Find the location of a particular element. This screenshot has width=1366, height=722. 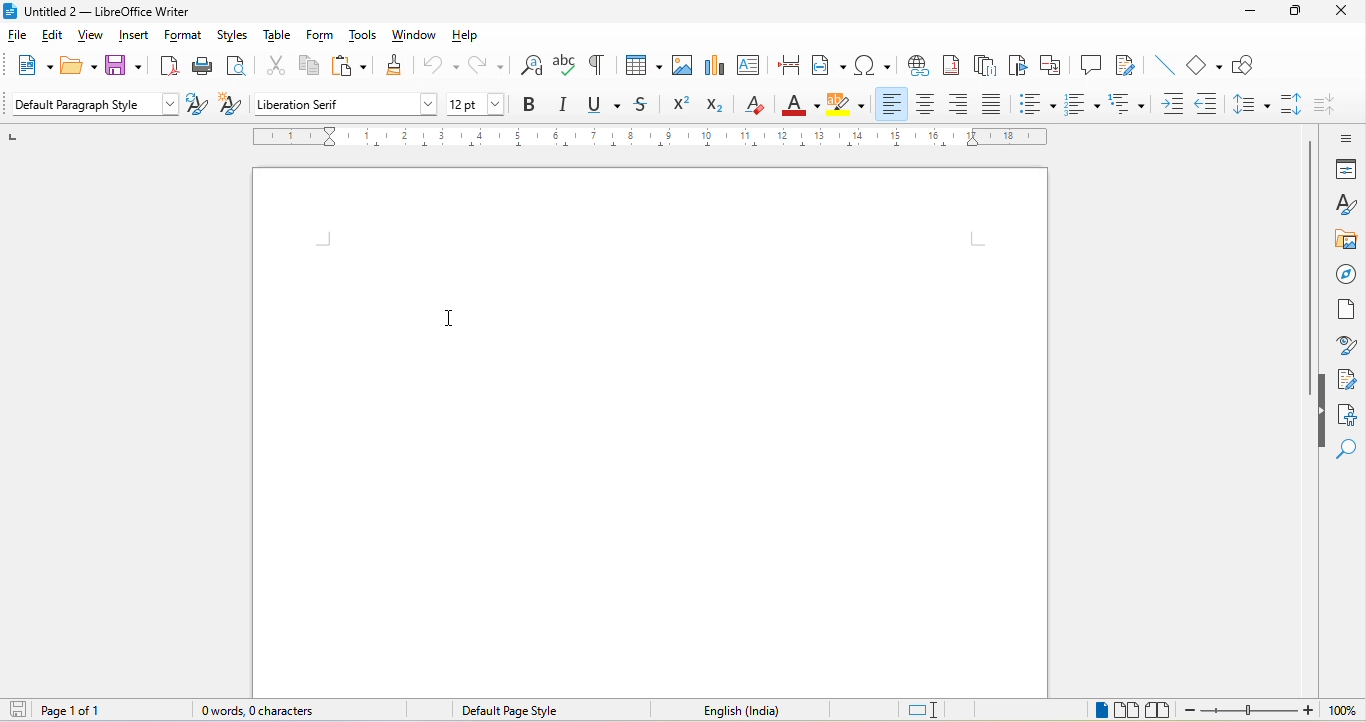

ordered list is located at coordinates (1081, 106).